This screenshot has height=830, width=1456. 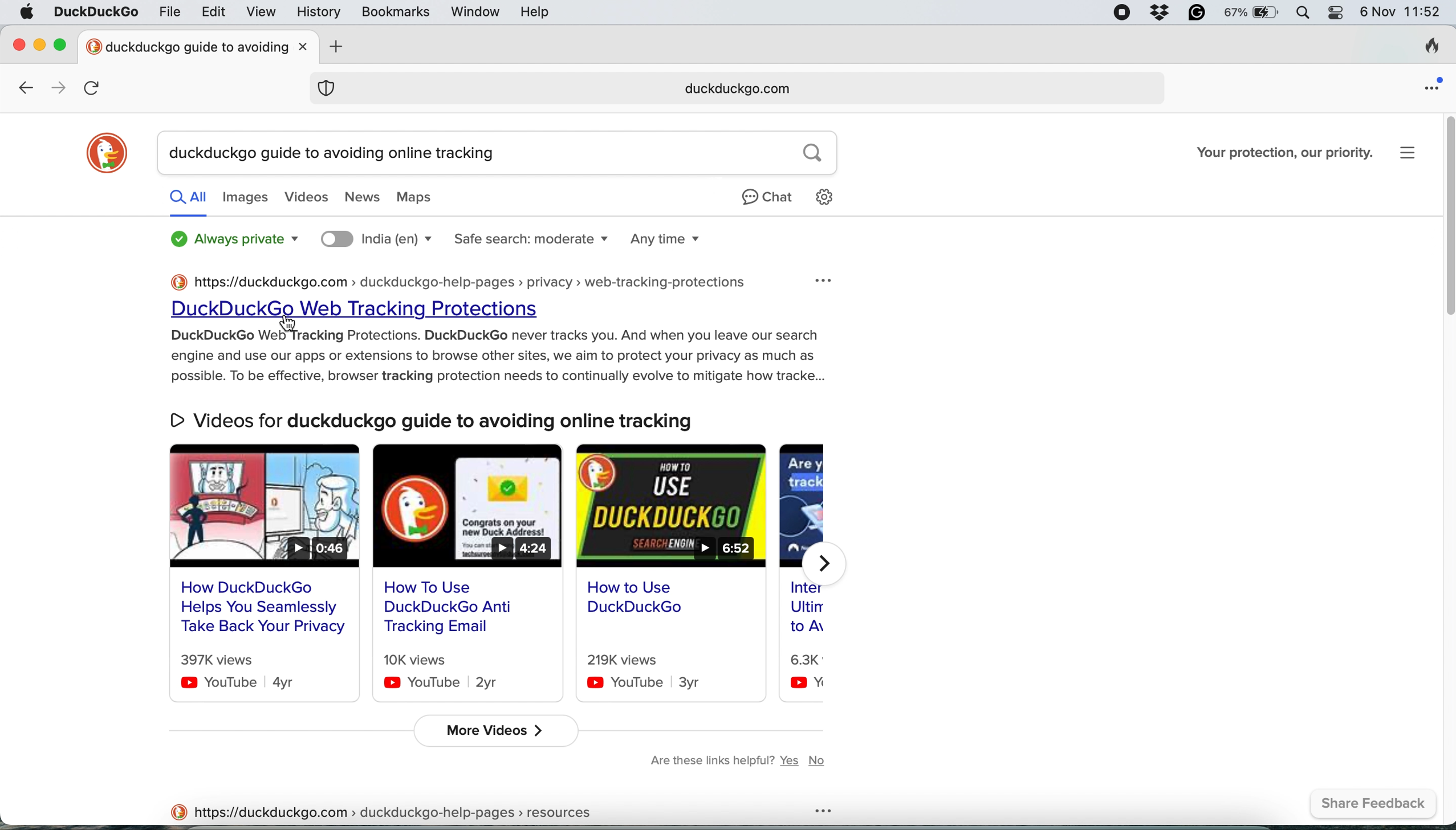 What do you see at coordinates (1425, 46) in the screenshot?
I see `clear browsing history` at bounding box center [1425, 46].